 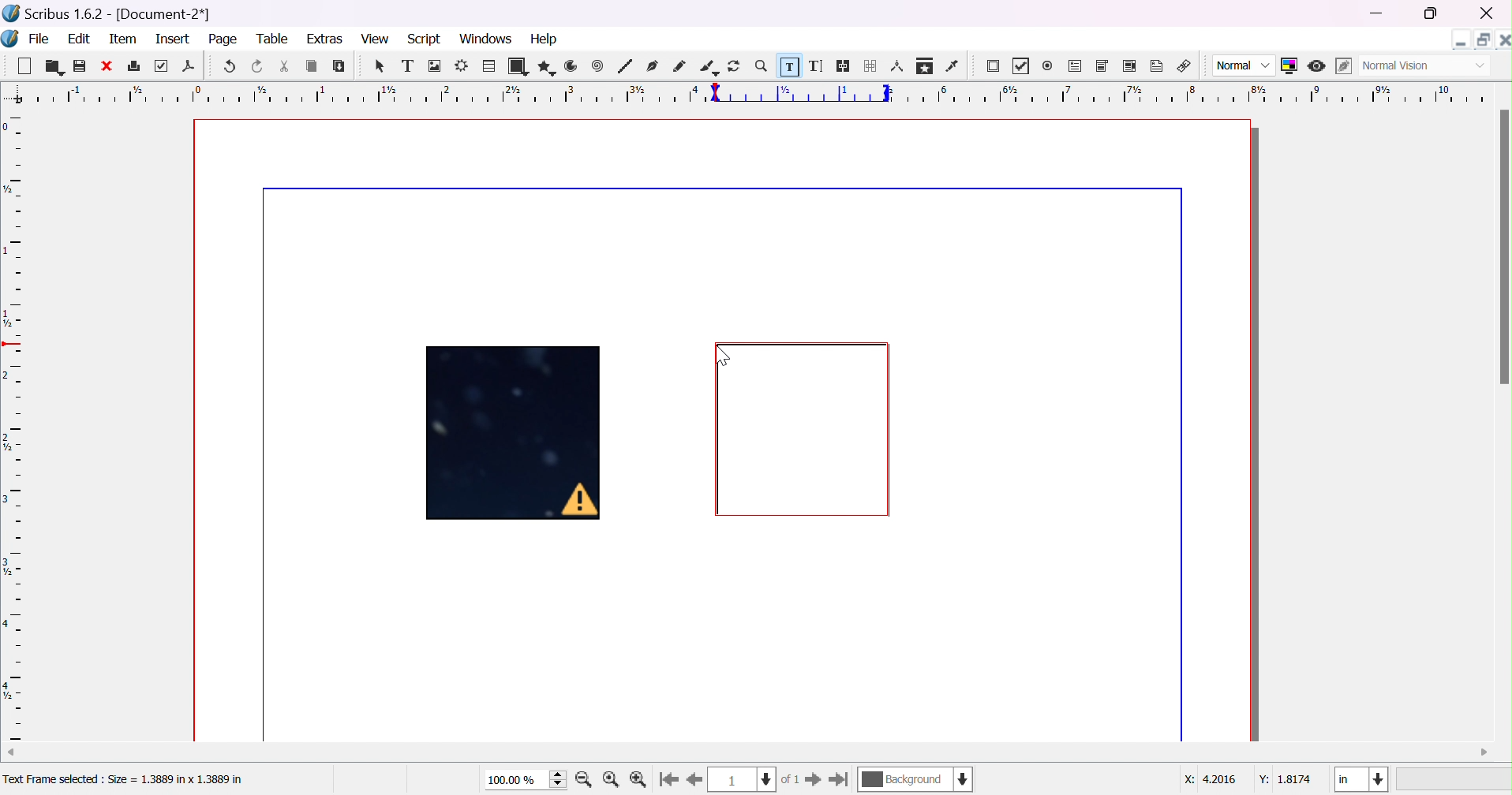 I want to click on script, so click(x=425, y=39).